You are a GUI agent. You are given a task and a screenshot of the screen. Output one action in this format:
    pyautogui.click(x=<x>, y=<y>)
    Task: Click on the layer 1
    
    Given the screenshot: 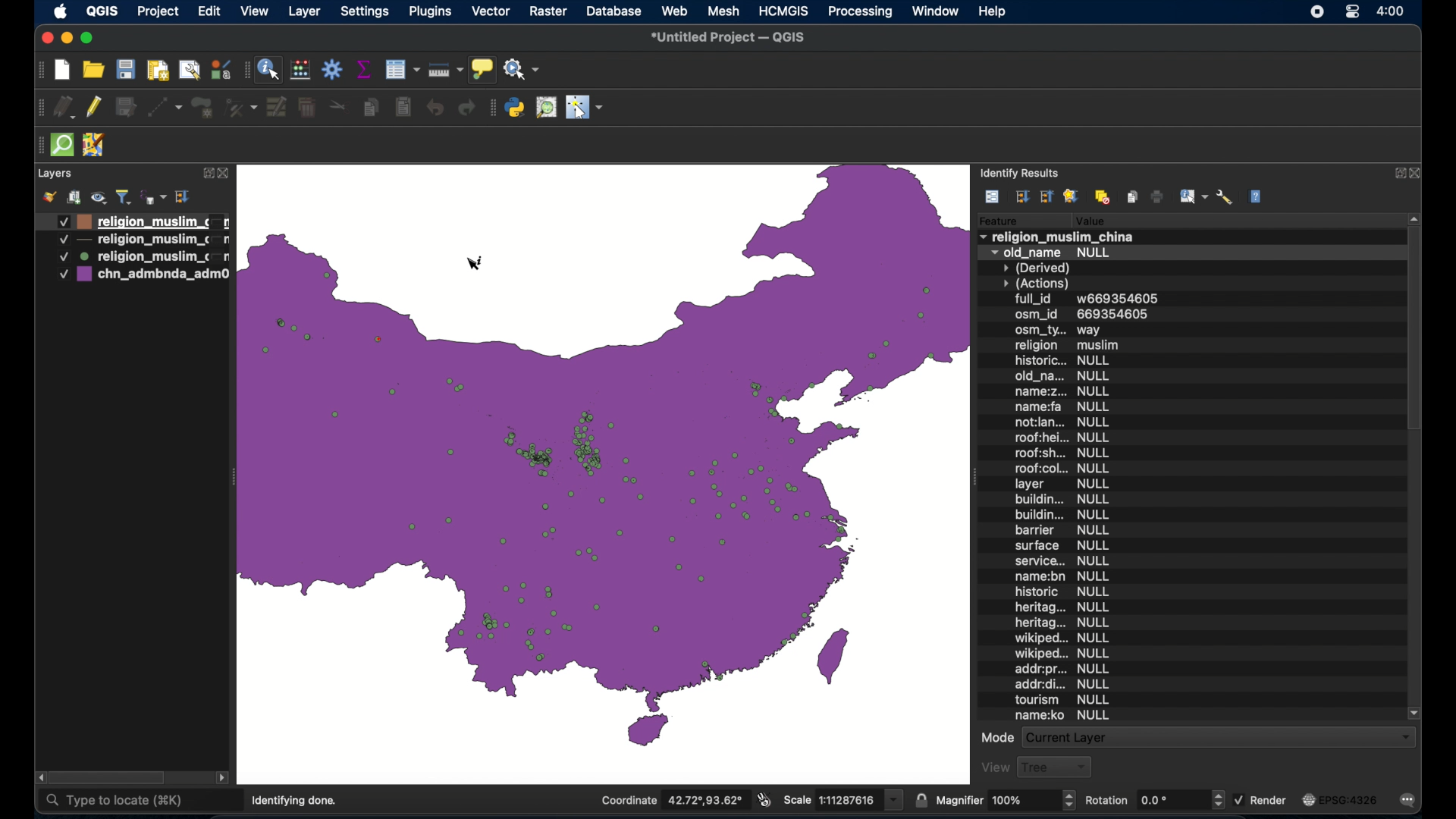 What is the action you would take?
    pyautogui.click(x=140, y=221)
    